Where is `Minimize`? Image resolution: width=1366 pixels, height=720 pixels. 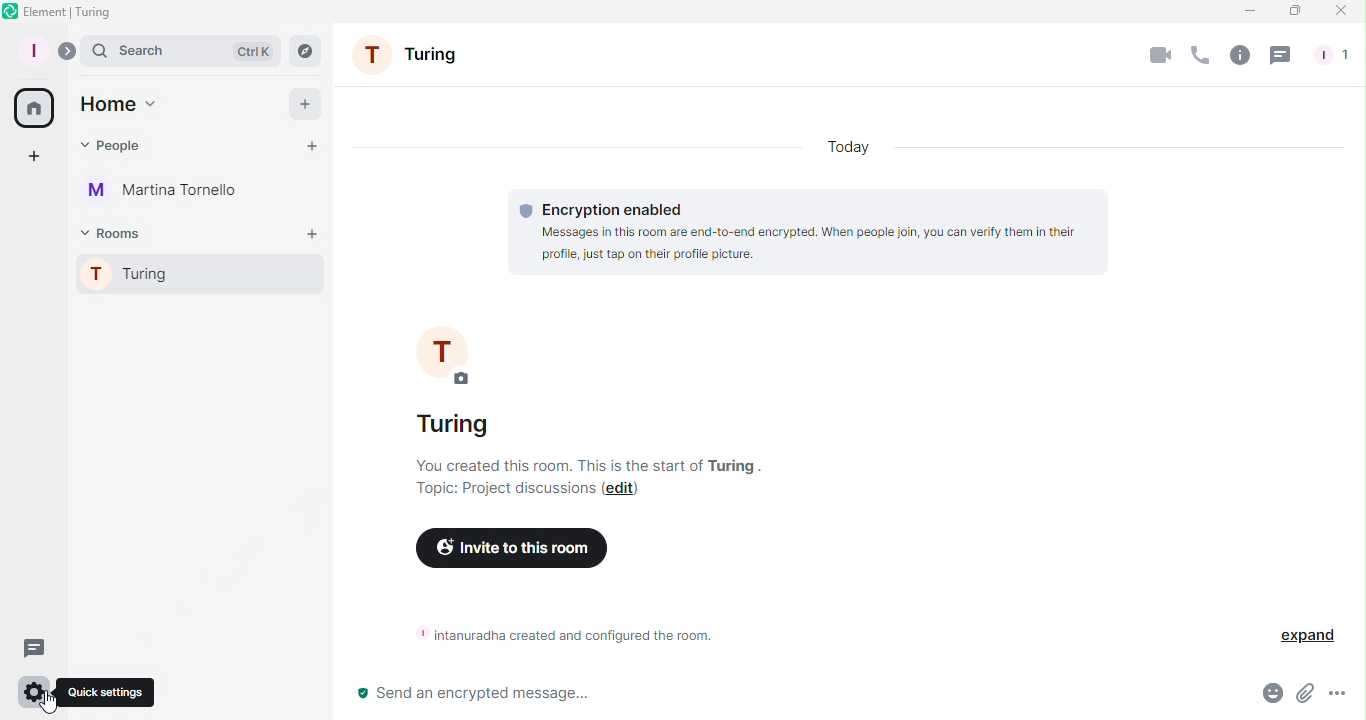 Minimize is located at coordinates (1246, 12).